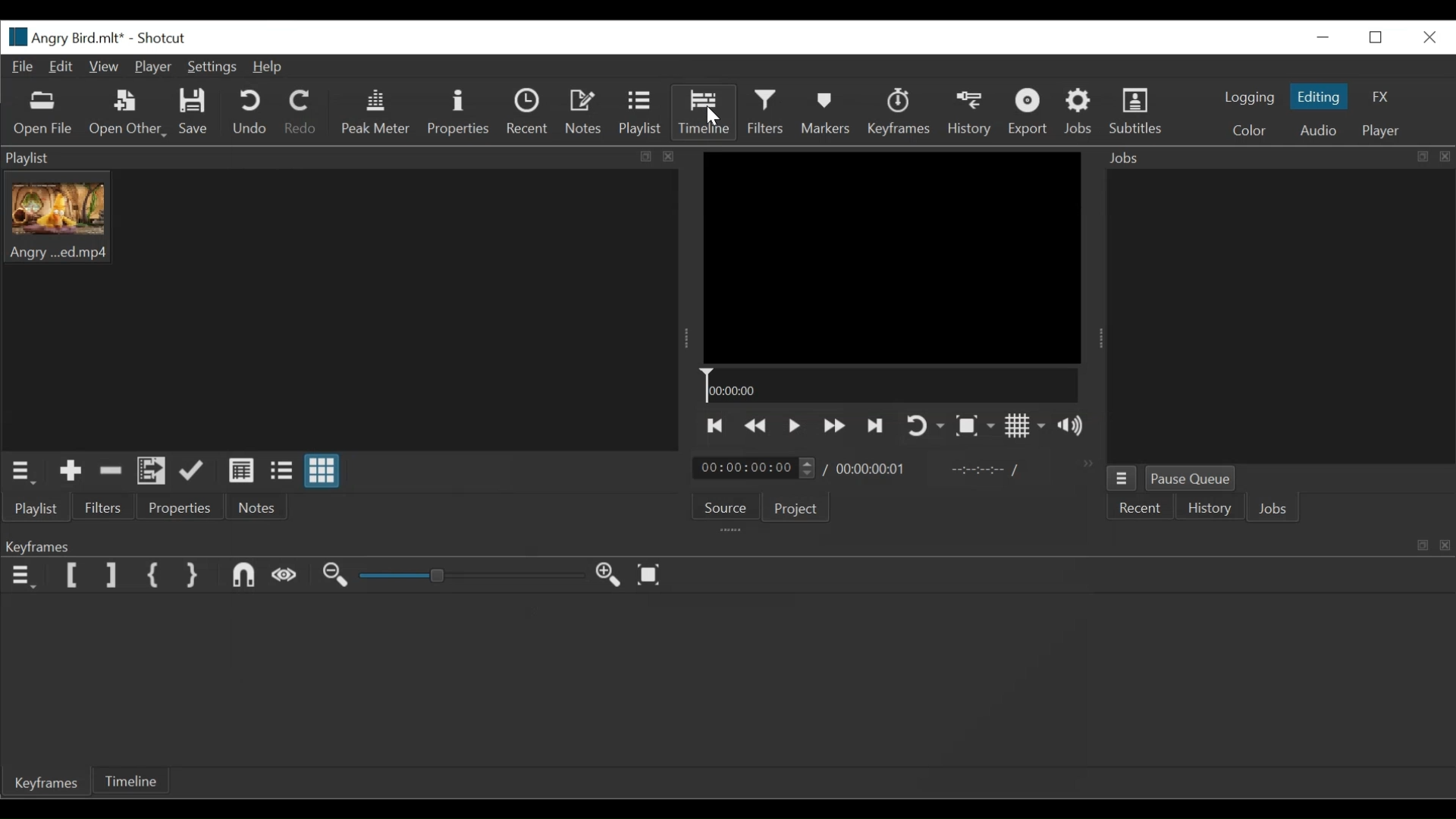 This screenshot has height=819, width=1456. I want to click on Open Files, so click(44, 114).